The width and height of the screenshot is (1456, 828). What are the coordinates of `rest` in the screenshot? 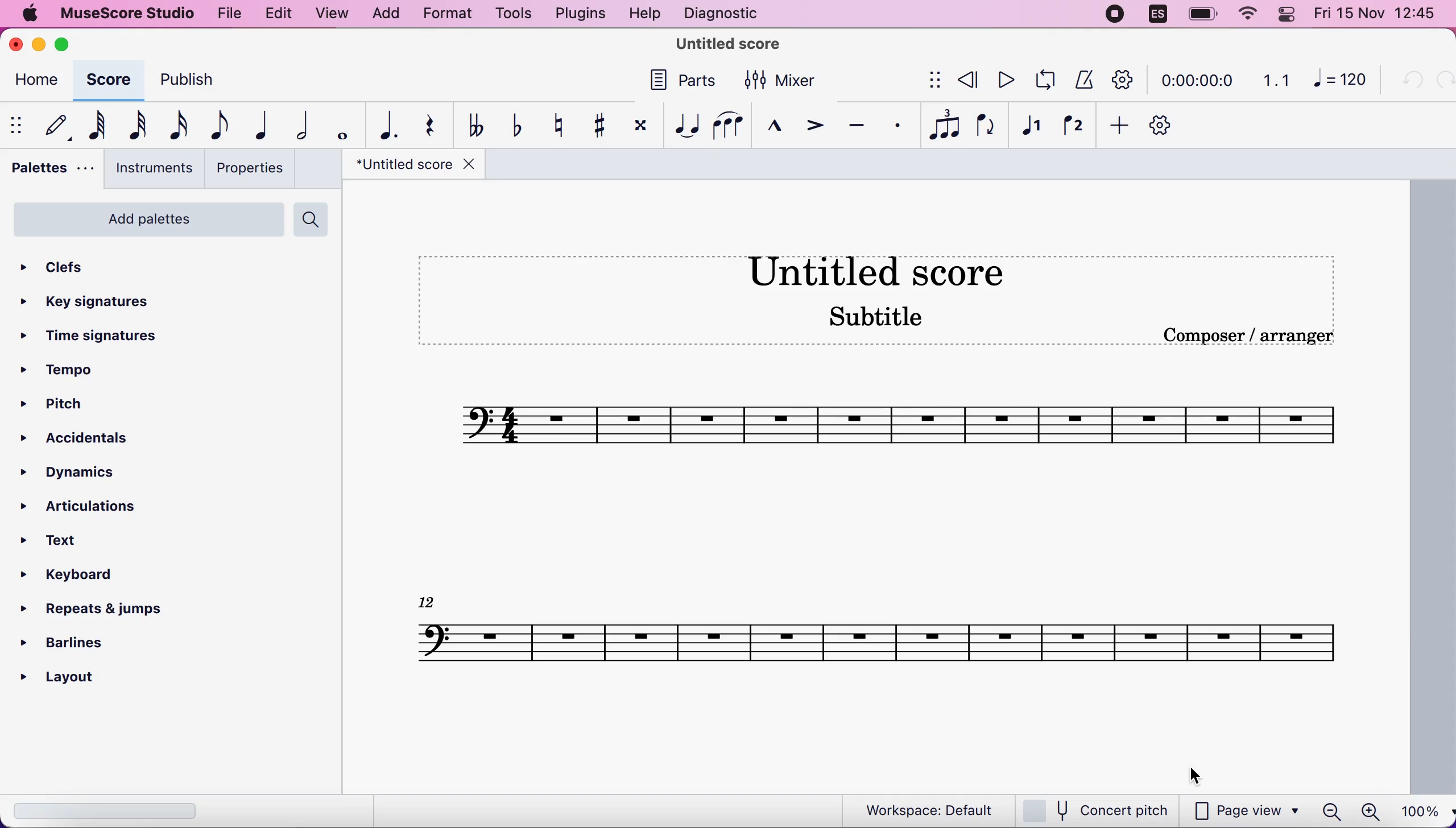 It's located at (424, 126).